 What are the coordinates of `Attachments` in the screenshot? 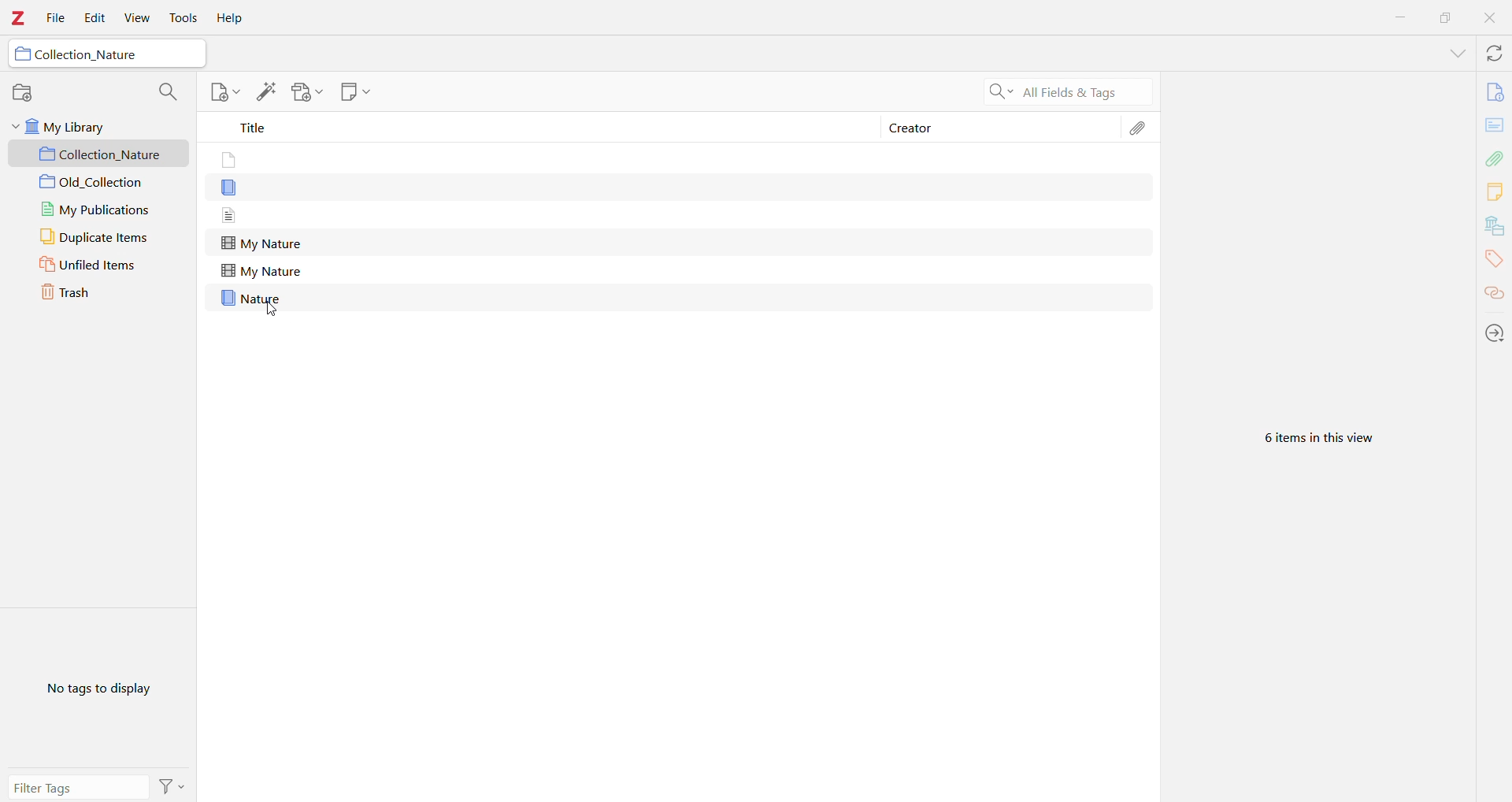 It's located at (1140, 132).